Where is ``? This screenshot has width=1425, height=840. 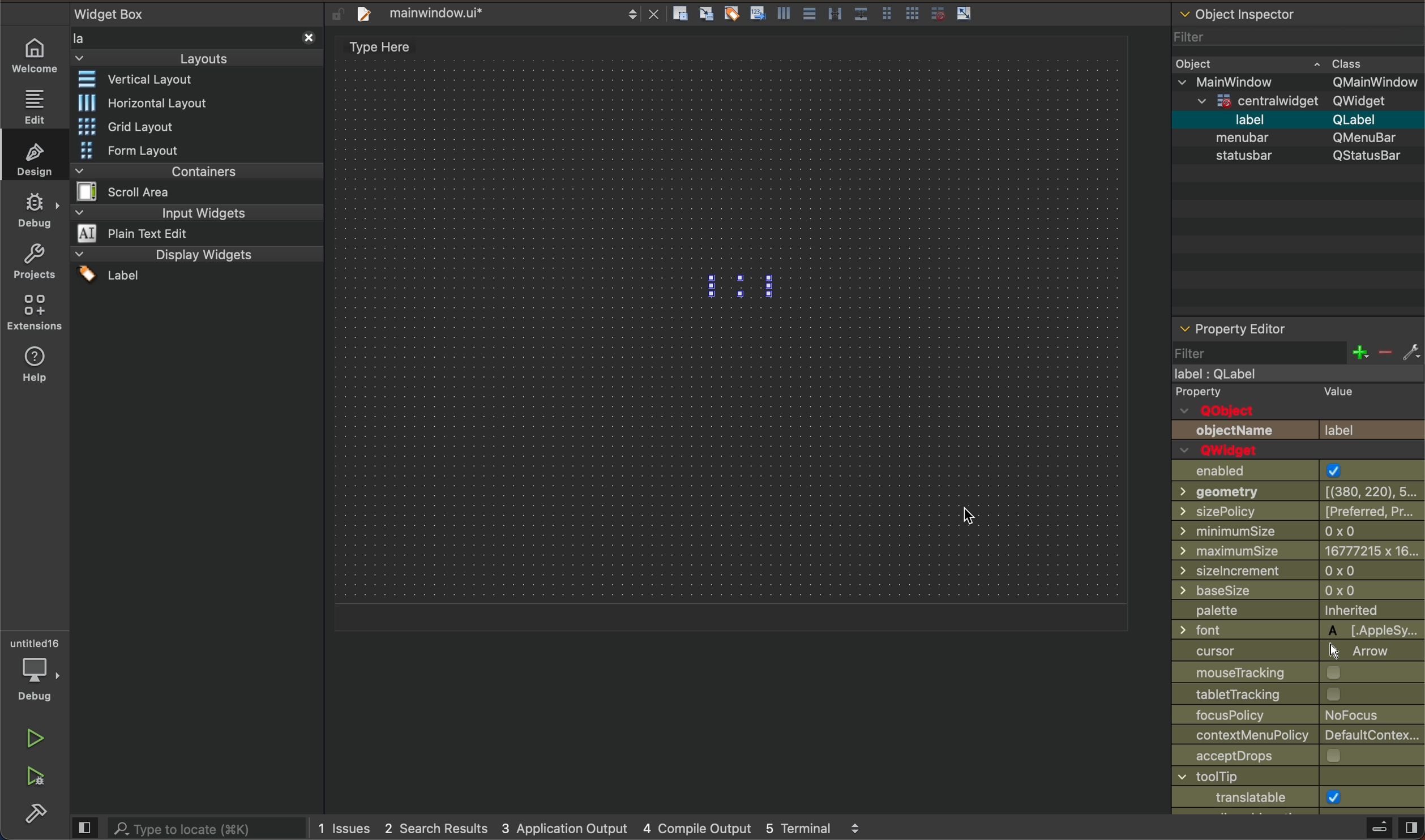
 is located at coordinates (1295, 494).